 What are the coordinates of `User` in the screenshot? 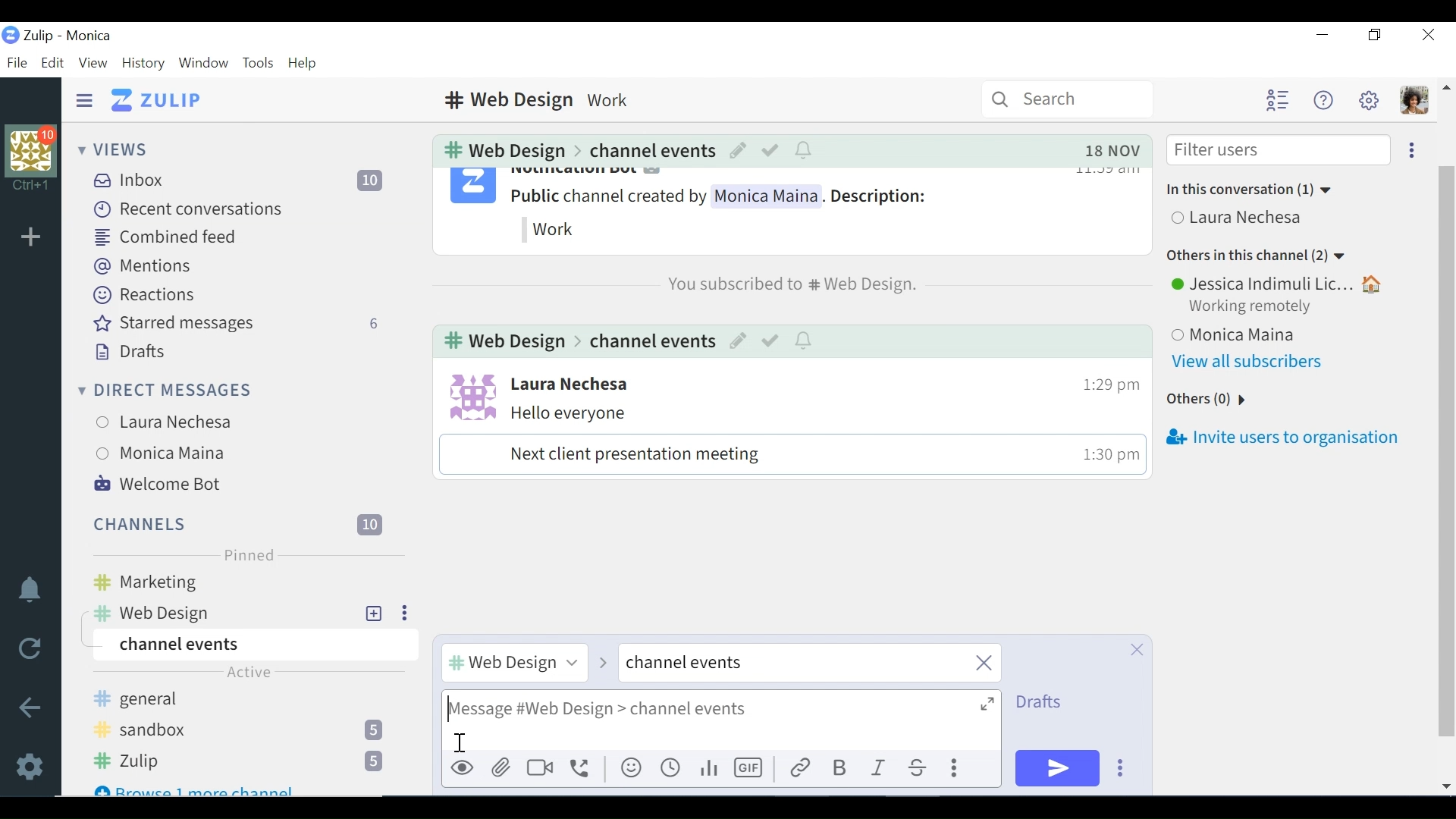 It's located at (1241, 219).